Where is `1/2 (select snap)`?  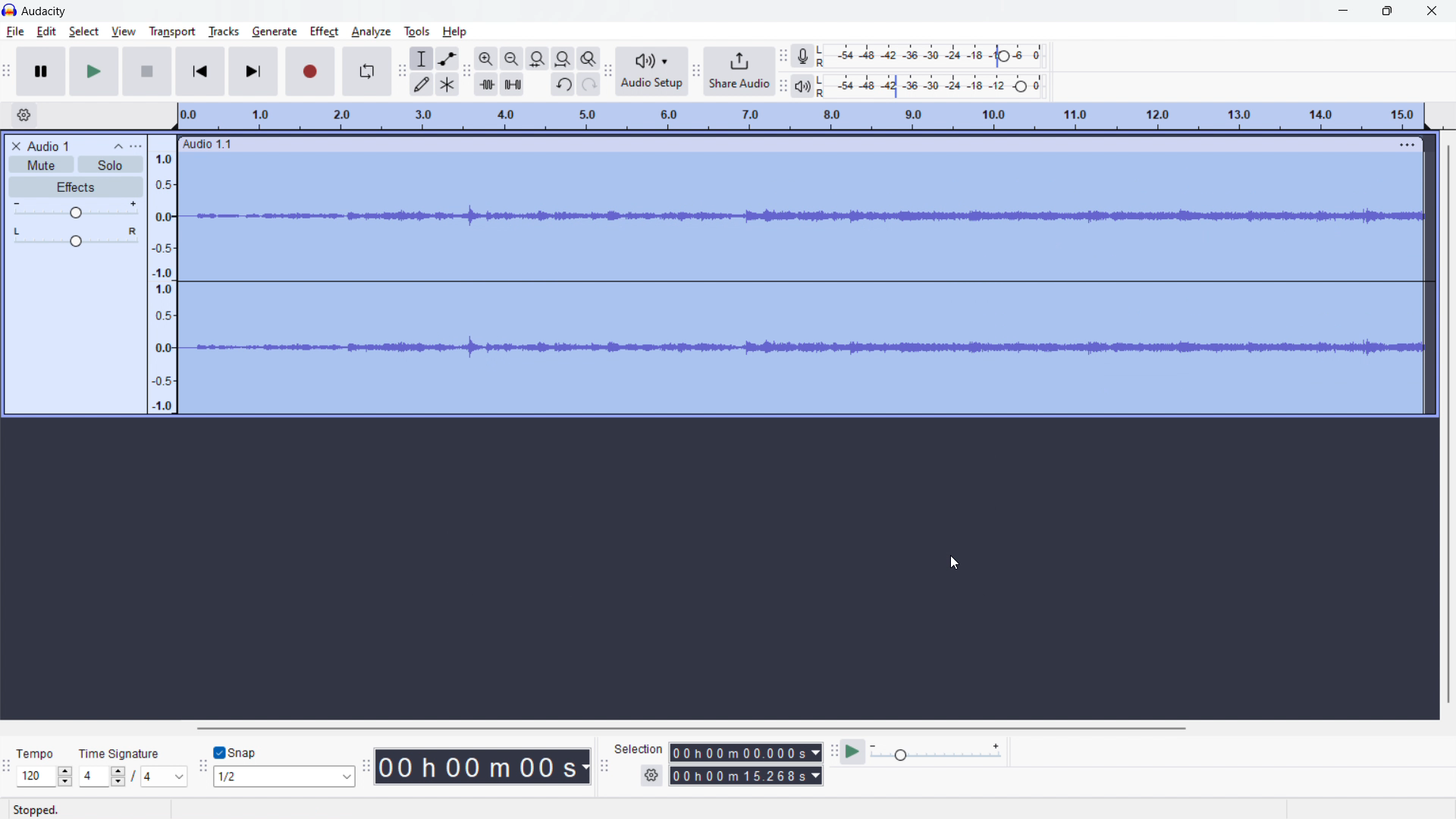 1/2 (select snap) is located at coordinates (285, 776).